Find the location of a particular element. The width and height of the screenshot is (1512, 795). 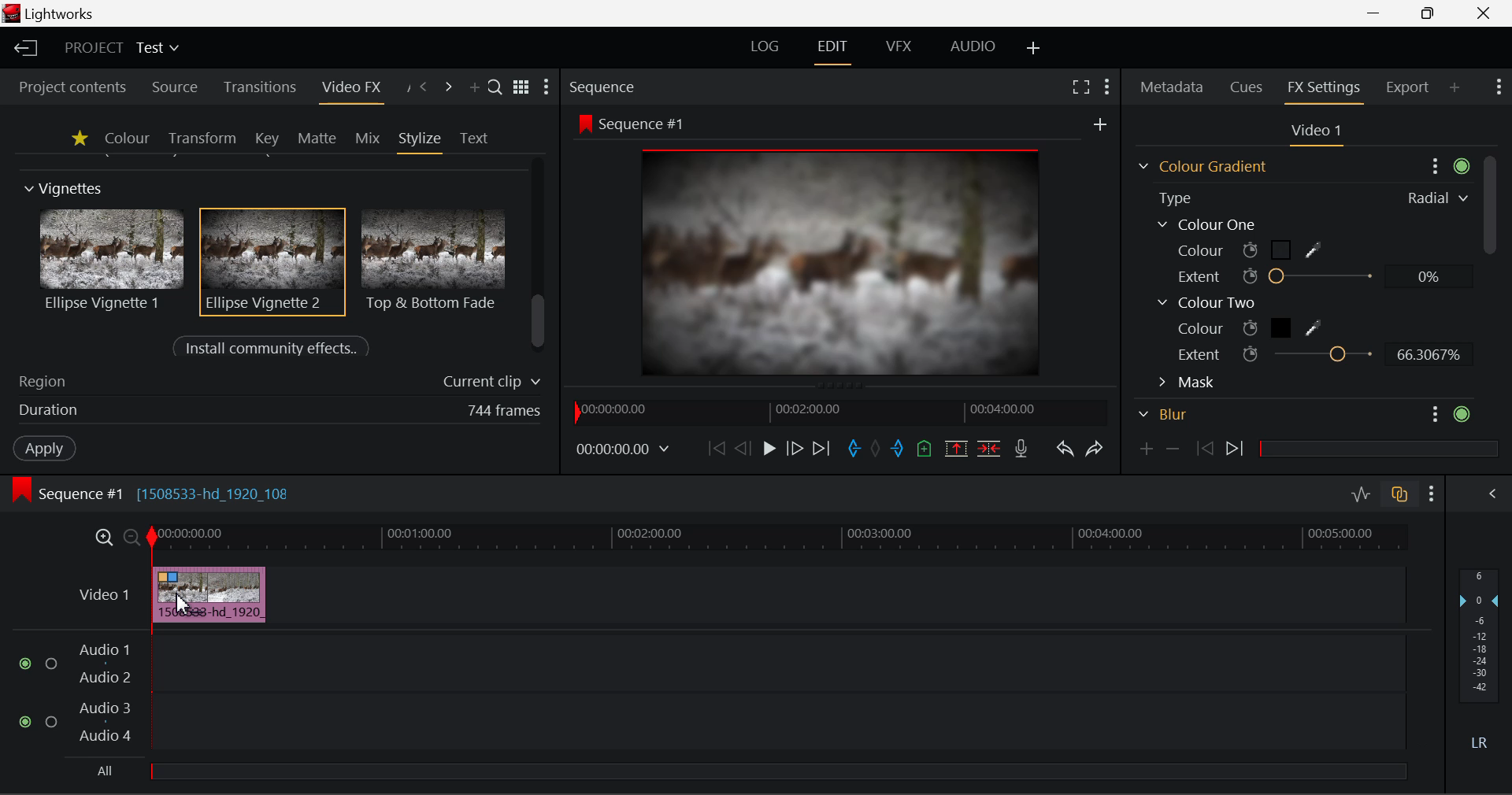

Show Settings is located at coordinates (1432, 491).